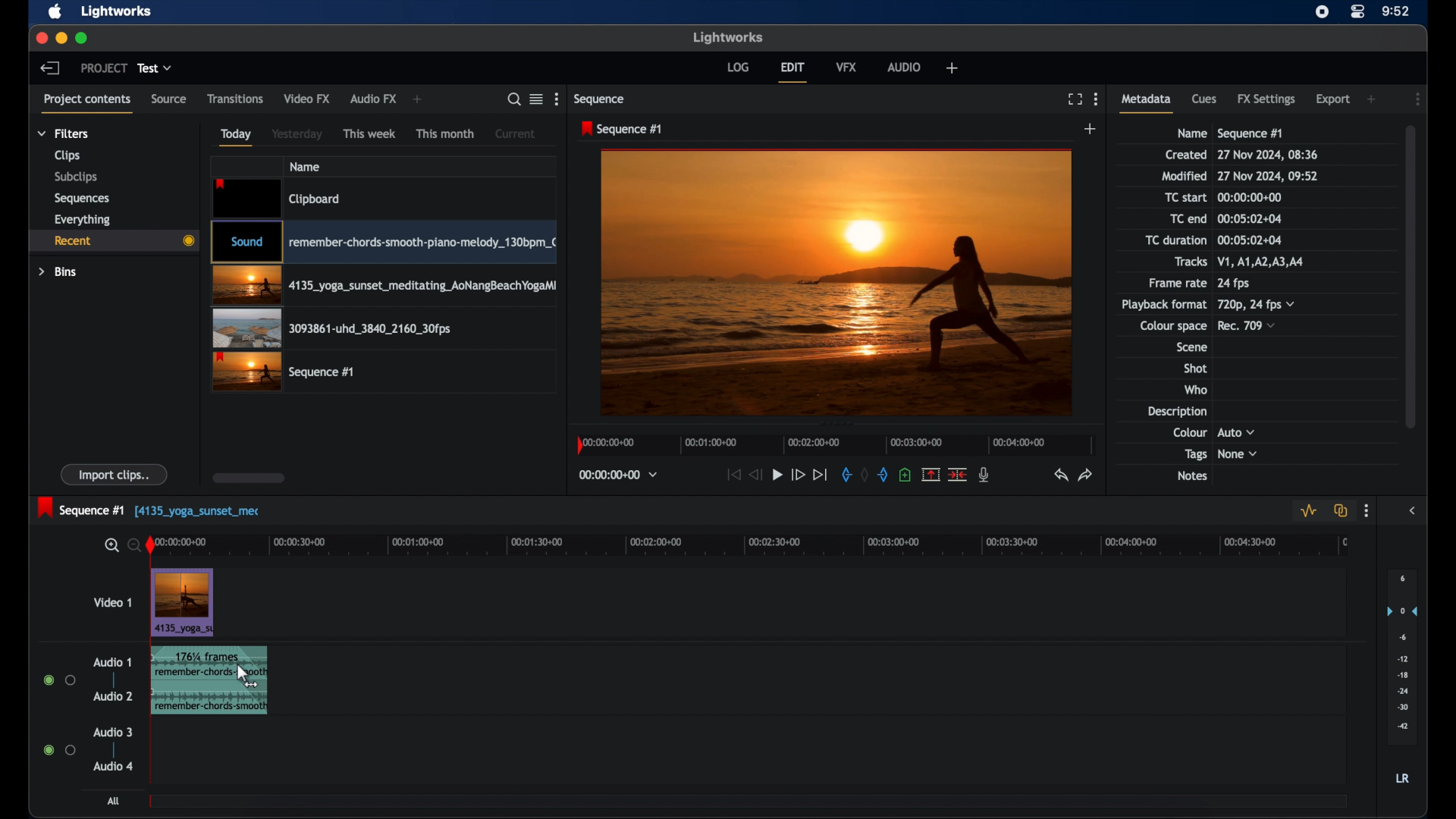 This screenshot has height=819, width=1456. Describe the element at coordinates (957, 473) in the screenshot. I see `split` at that location.